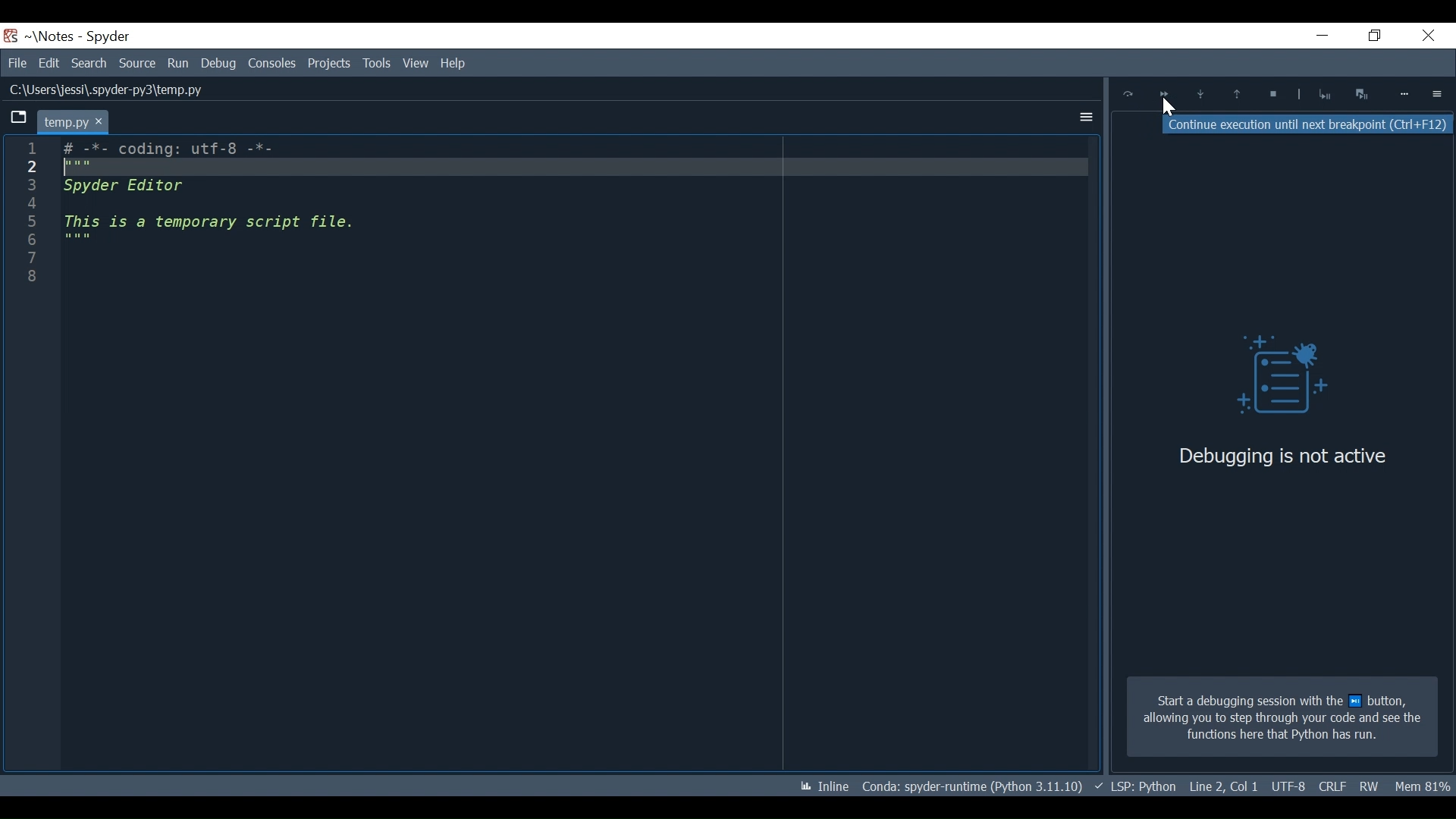 Image resolution: width=1456 pixels, height=819 pixels. Describe the element at coordinates (971, 786) in the screenshot. I see `Conda Environment Indicator` at that location.